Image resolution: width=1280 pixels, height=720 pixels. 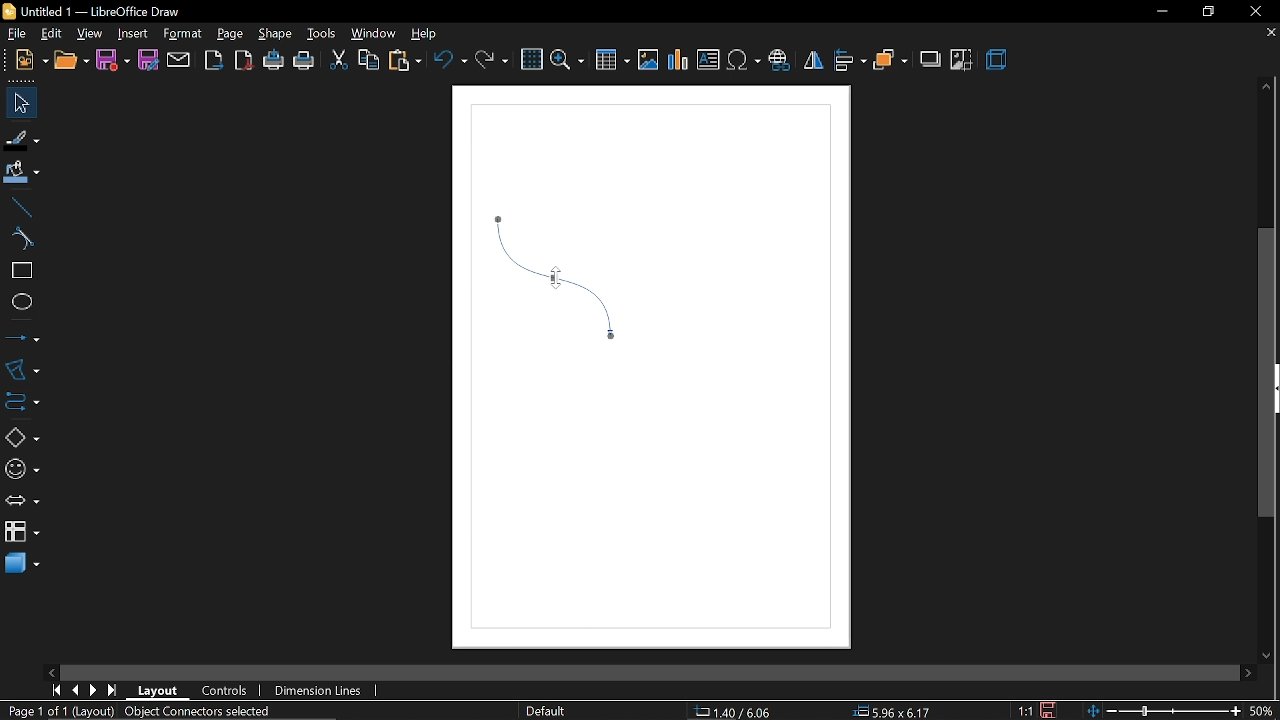 I want to click on print, so click(x=304, y=62).